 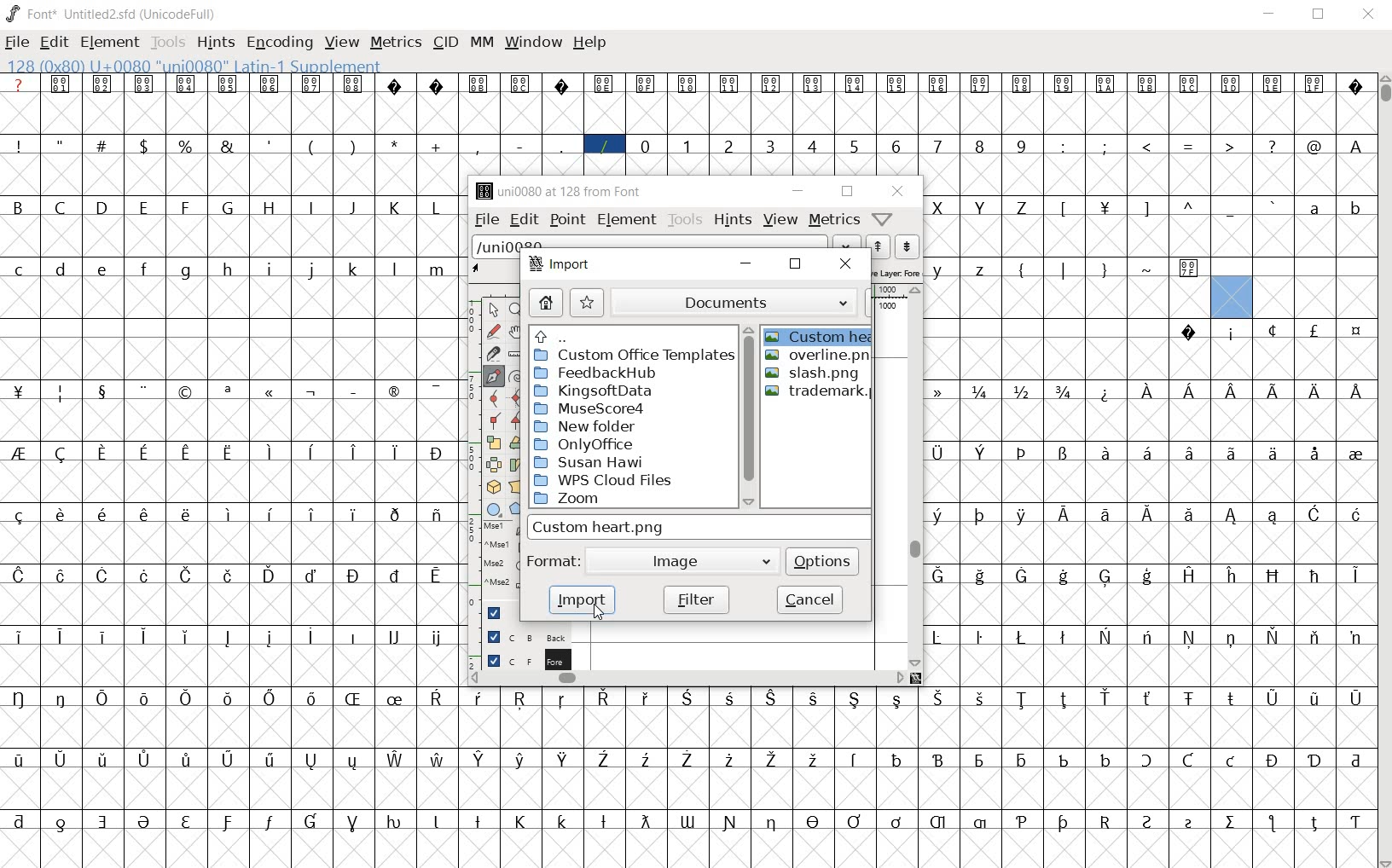 What do you see at coordinates (61, 759) in the screenshot?
I see `glyph` at bounding box center [61, 759].